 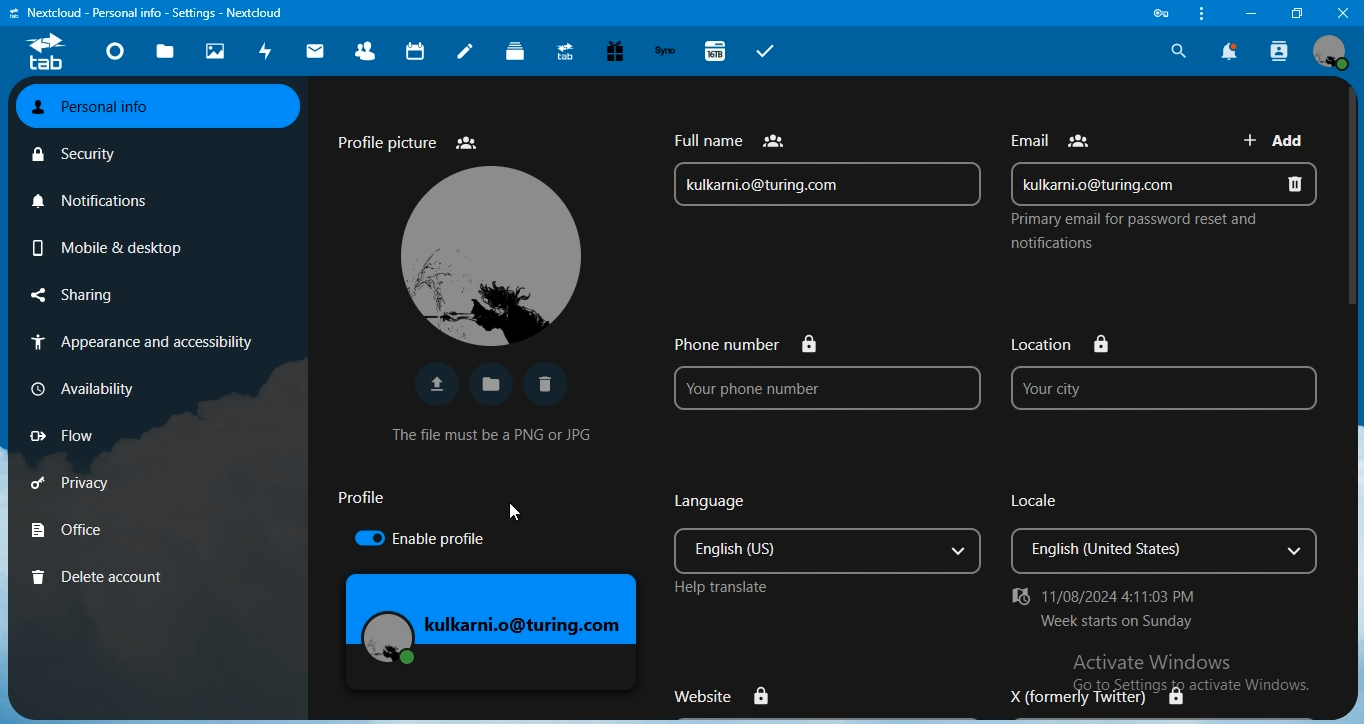 I want to click on 16TB, so click(x=717, y=50).